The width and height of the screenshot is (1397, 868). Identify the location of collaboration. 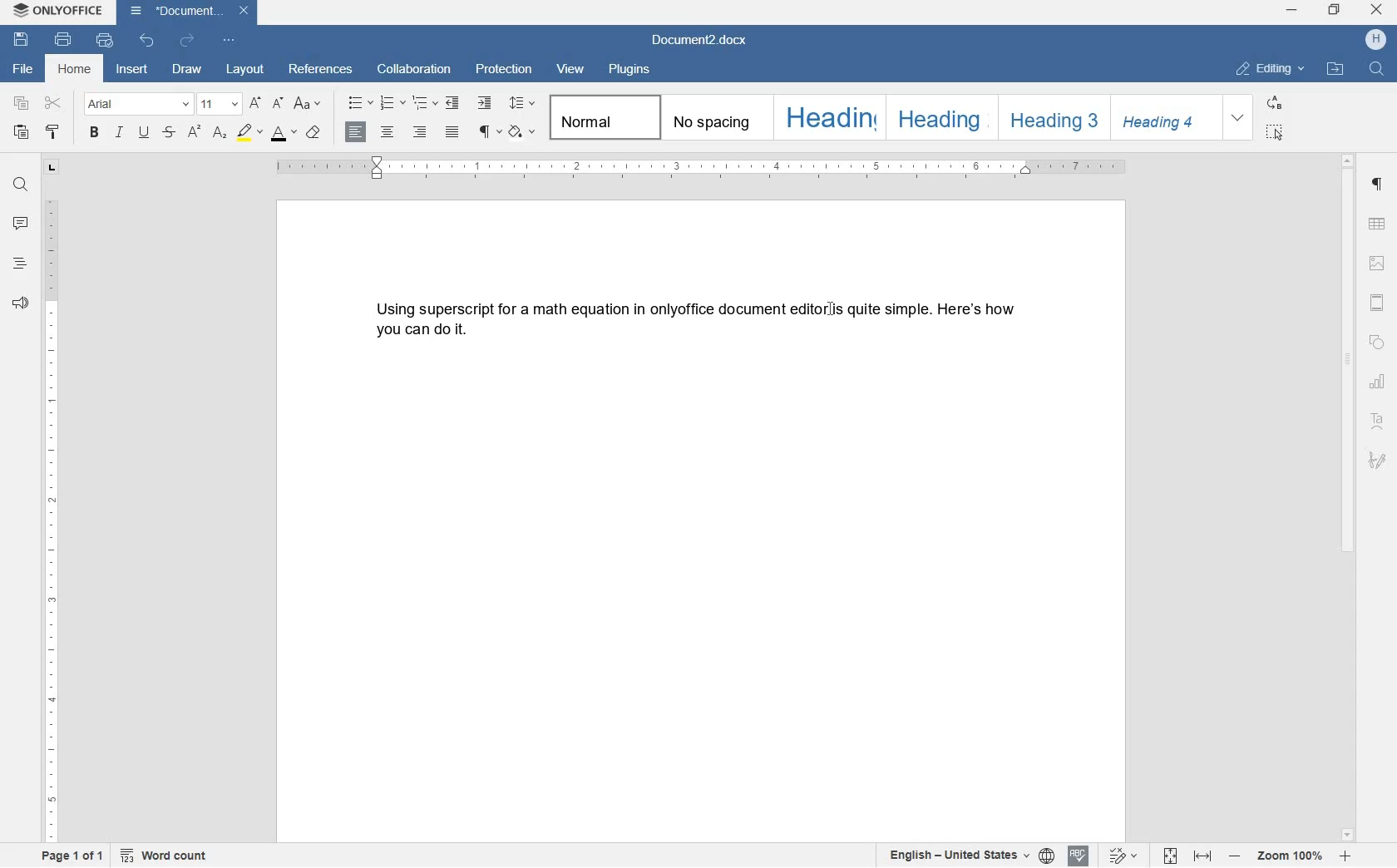
(414, 71).